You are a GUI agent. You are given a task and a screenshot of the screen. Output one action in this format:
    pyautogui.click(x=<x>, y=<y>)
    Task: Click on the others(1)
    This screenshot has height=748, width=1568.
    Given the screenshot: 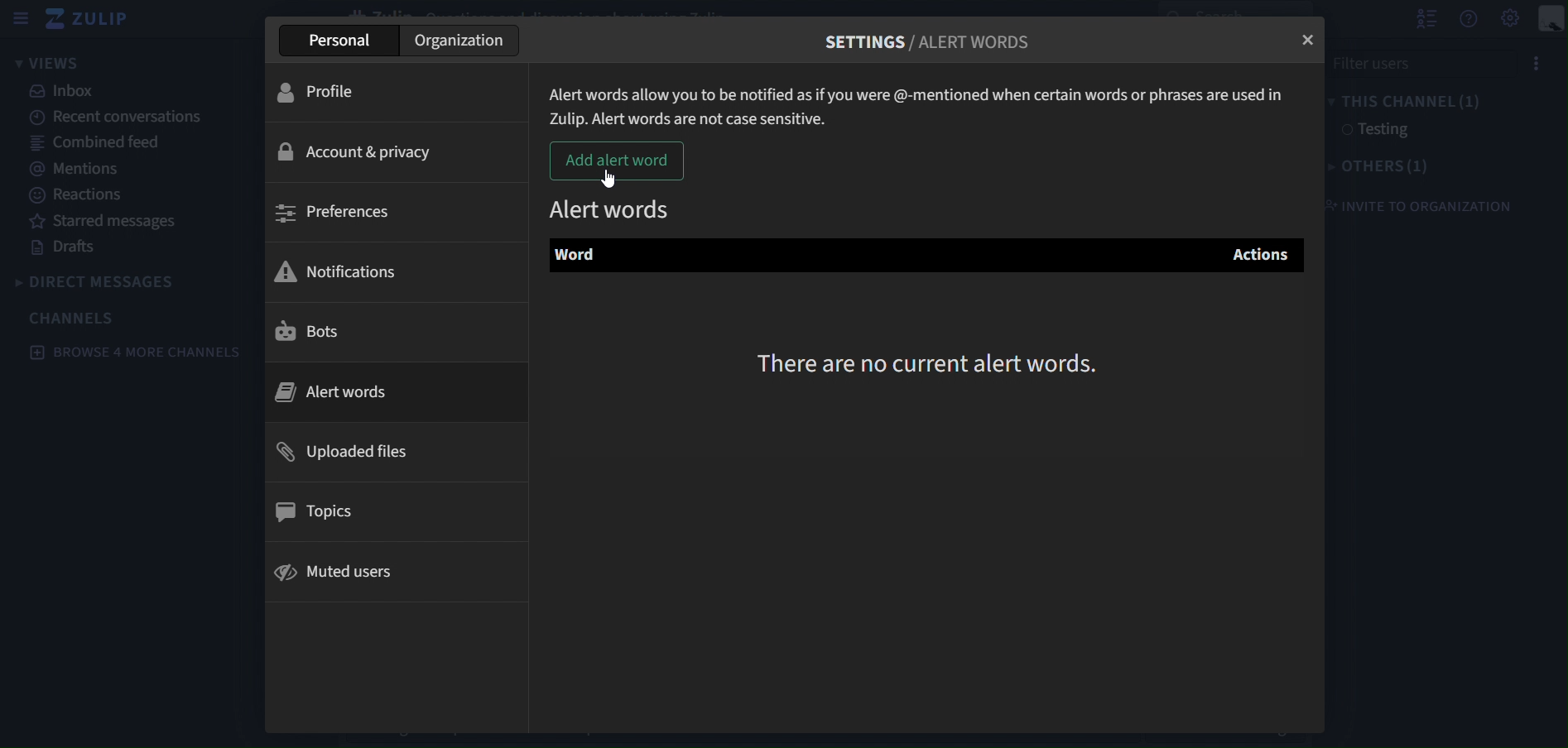 What is the action you would take?
    pyautogui.click(x=1381, y=168)
    